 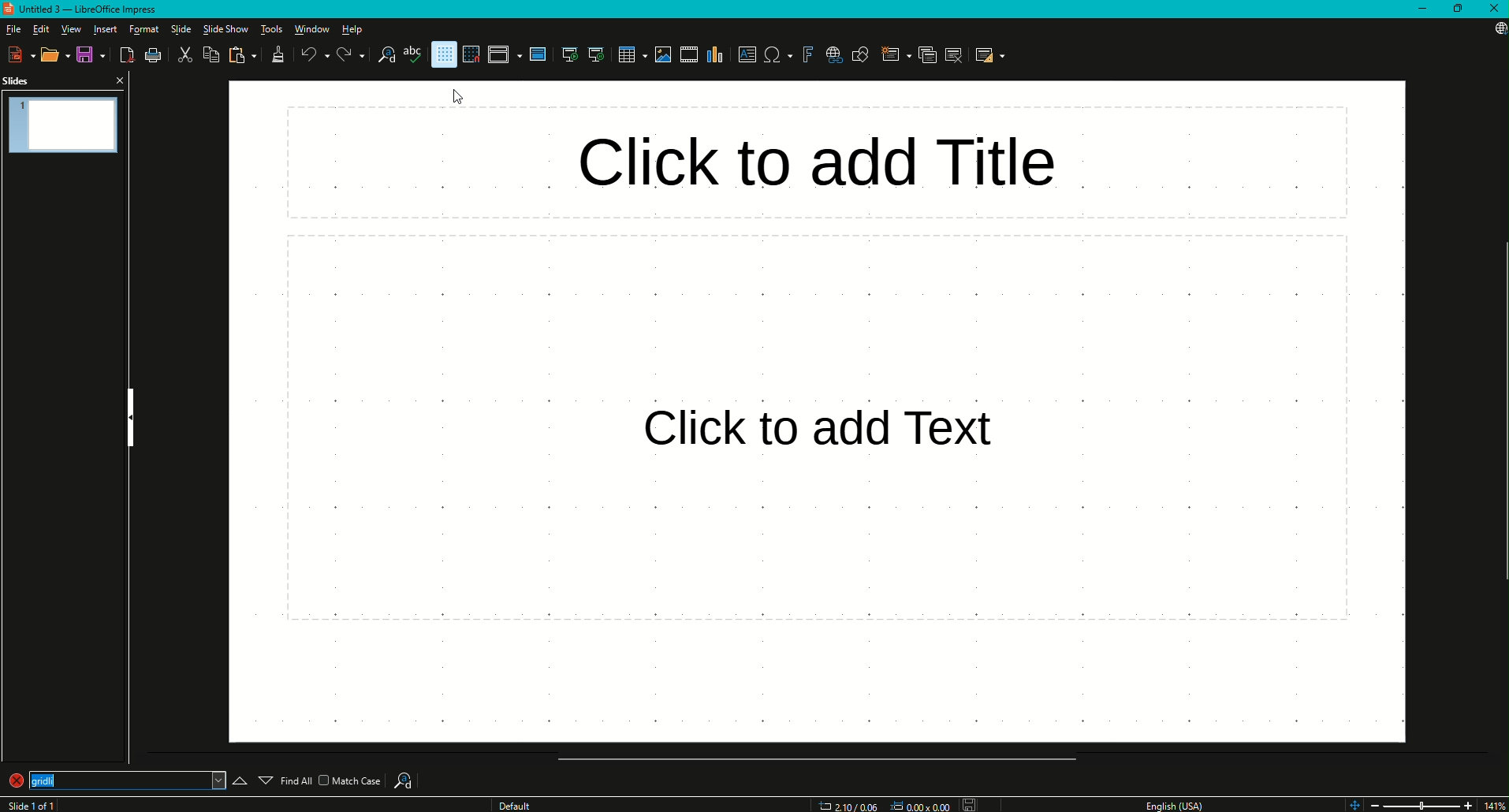 What do you see at coordinates (1353, 804) in the screenshot?
I see `Fit slide to current window` at bounding box center [1353, 804].